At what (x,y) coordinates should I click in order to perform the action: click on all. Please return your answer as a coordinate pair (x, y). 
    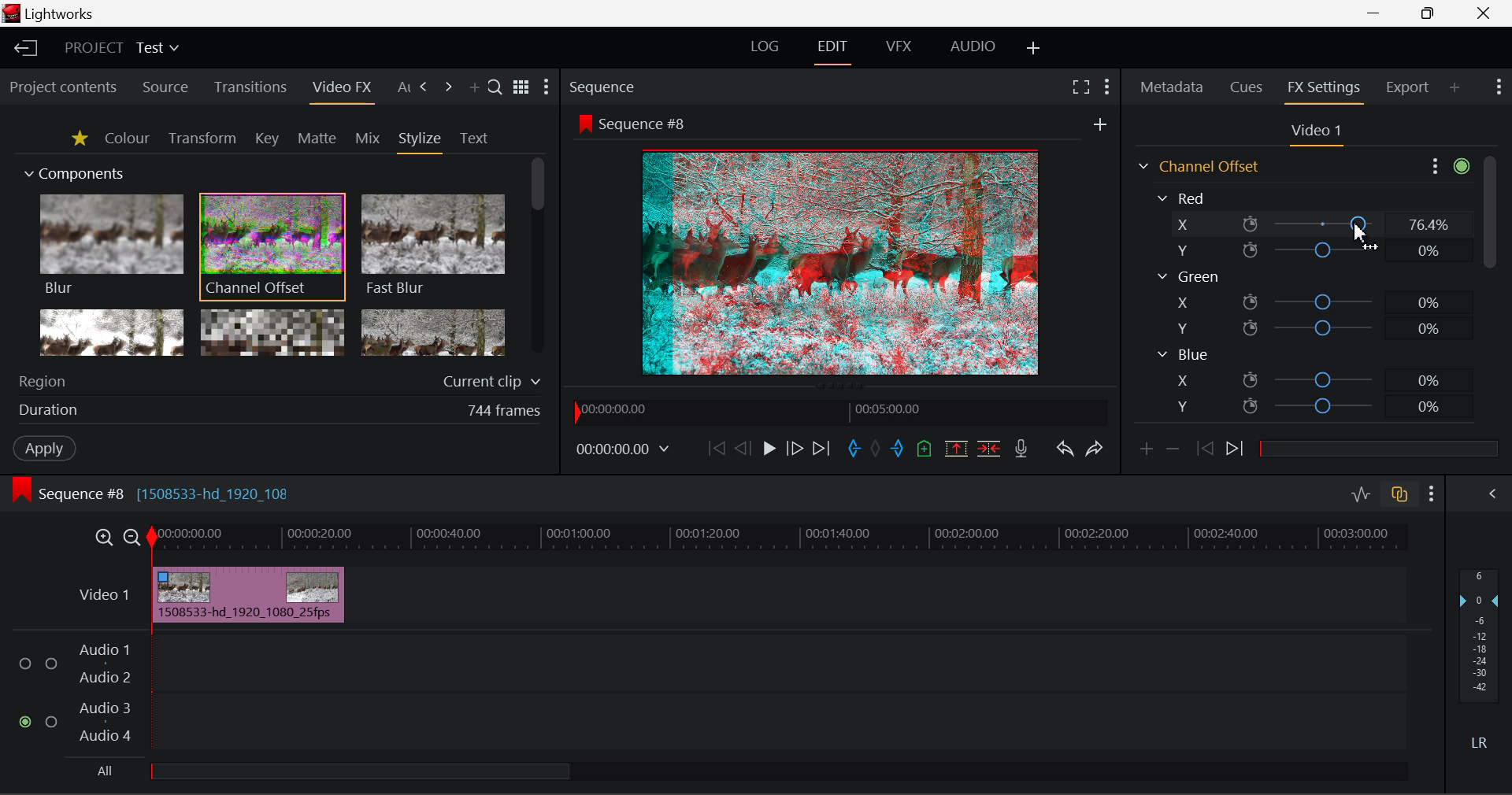
    Looking at the image, I should click on (339, 774).